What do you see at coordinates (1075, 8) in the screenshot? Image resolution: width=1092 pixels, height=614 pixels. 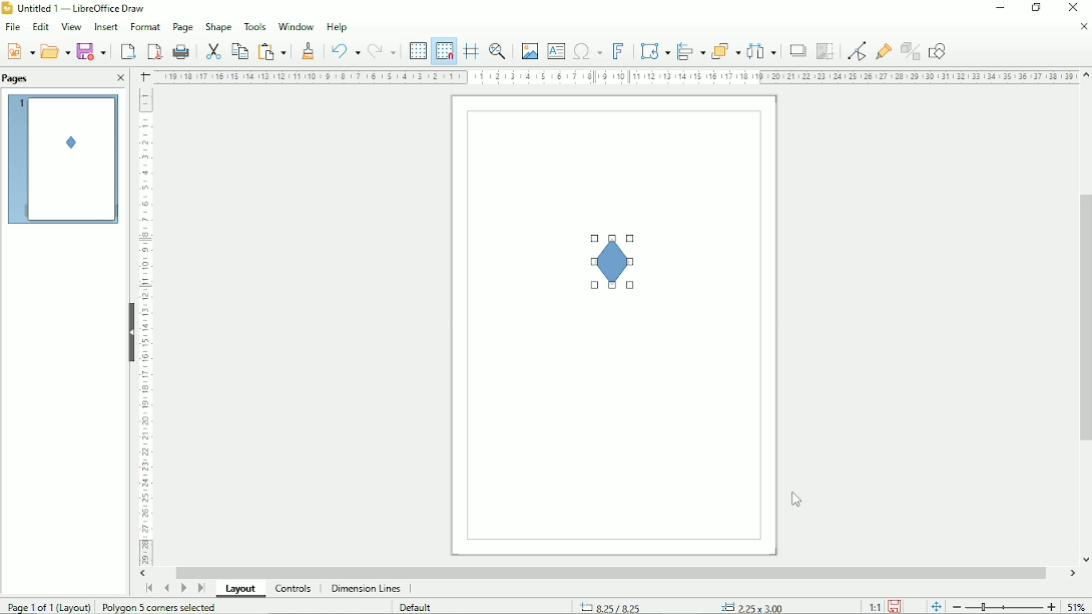 I see `Close` at bounding box center [1075, 8].